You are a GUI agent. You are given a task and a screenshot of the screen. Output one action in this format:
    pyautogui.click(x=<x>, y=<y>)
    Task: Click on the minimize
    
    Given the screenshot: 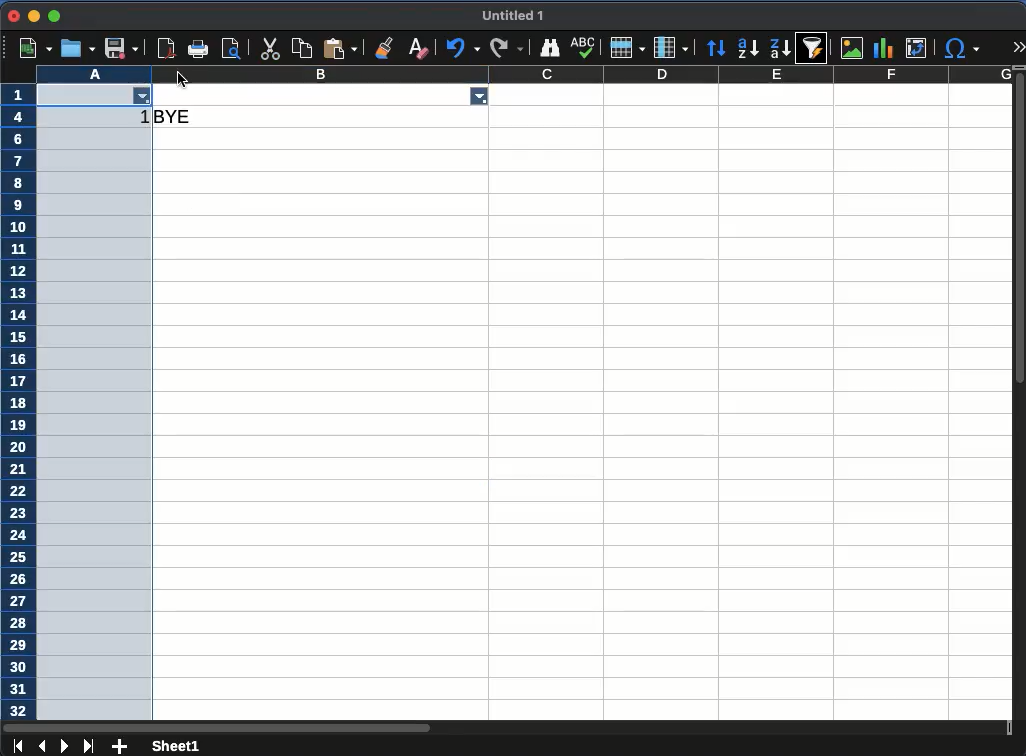 What is the action you would take?
    pyautogui.click(x=33, y=15)
    